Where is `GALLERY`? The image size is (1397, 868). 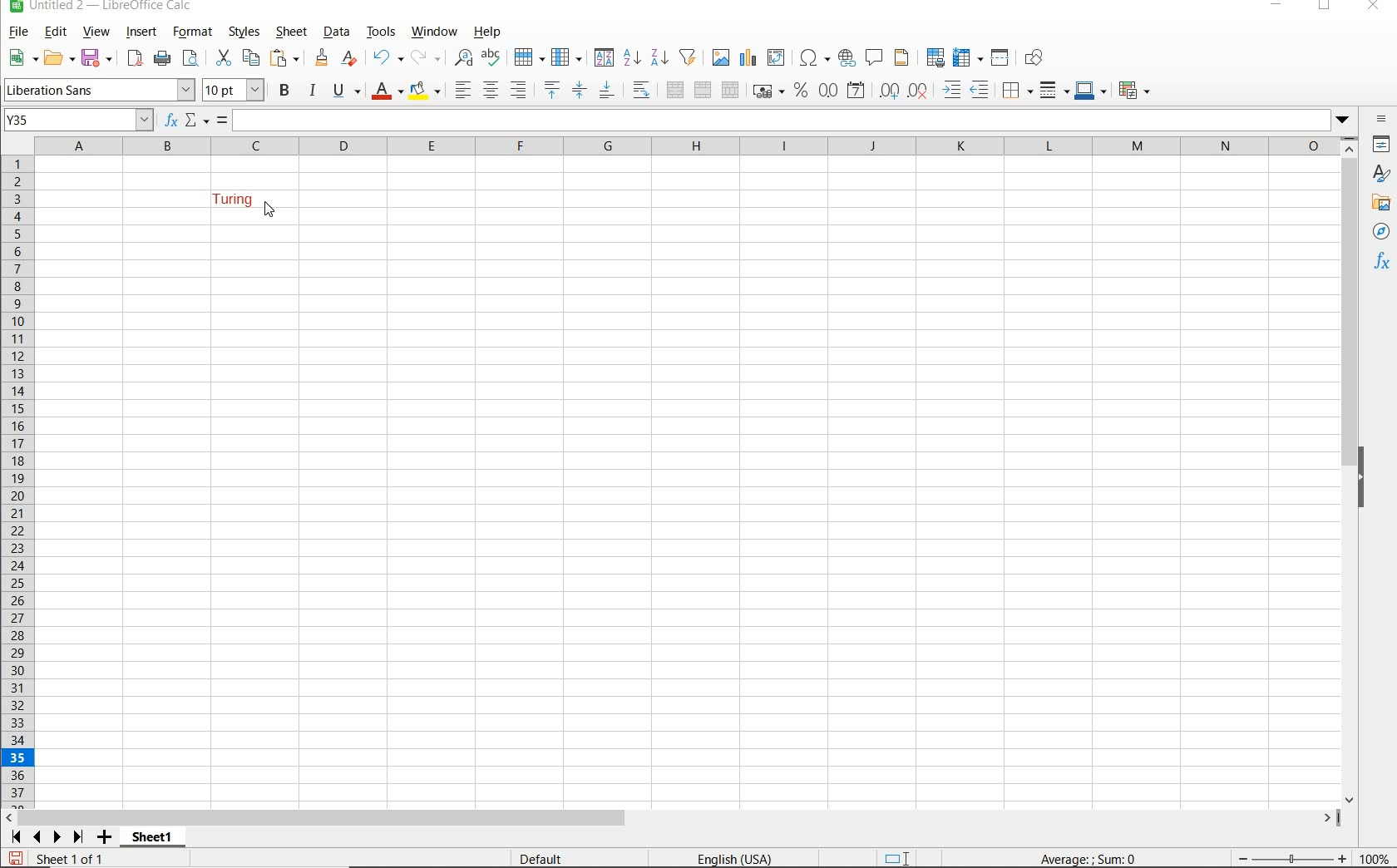
GALLERY is located at coordinates (1383, 204).